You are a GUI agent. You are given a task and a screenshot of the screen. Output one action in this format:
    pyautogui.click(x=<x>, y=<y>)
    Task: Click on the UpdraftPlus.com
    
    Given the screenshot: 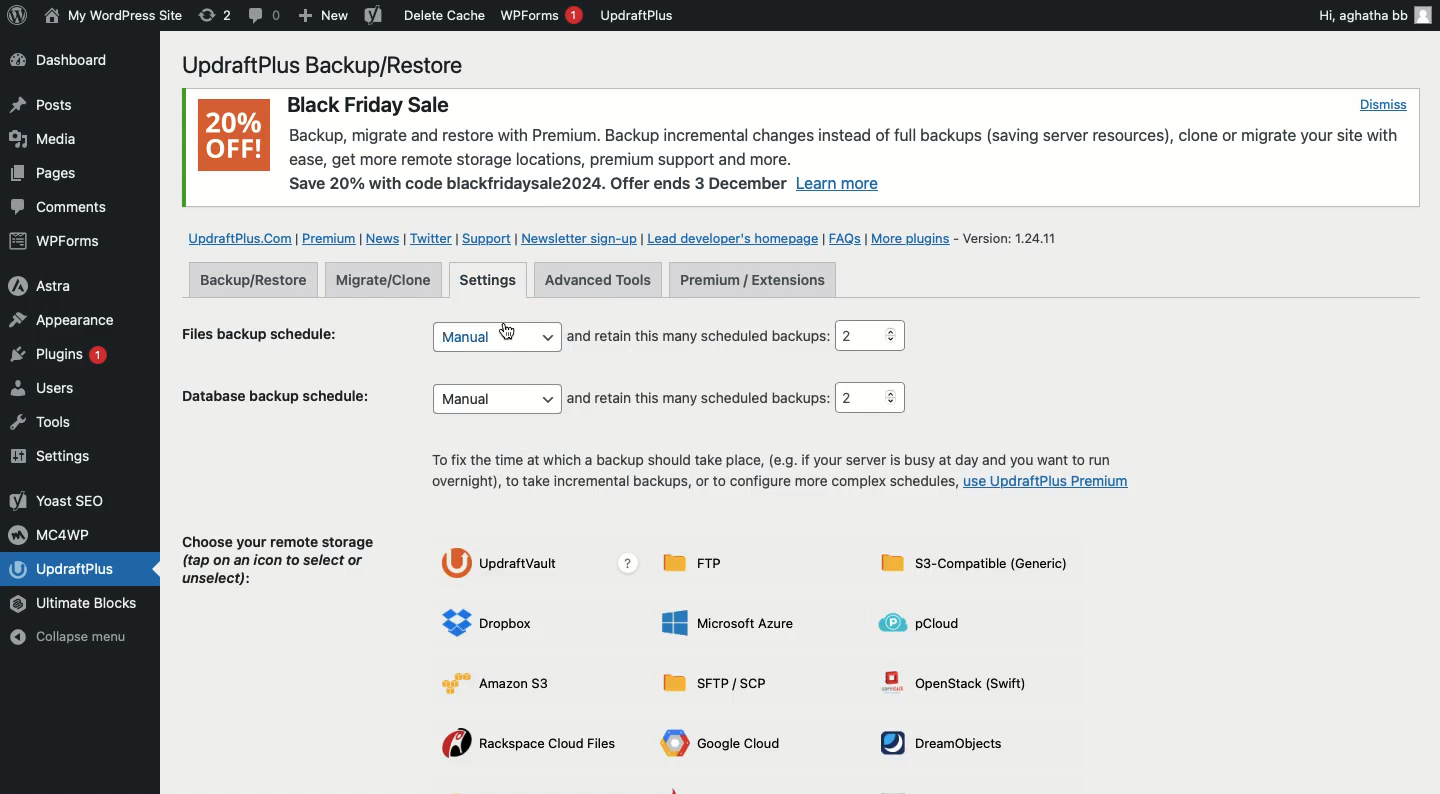 What is the action you would take?
    pyautogui.click(x=238, y=237)
    